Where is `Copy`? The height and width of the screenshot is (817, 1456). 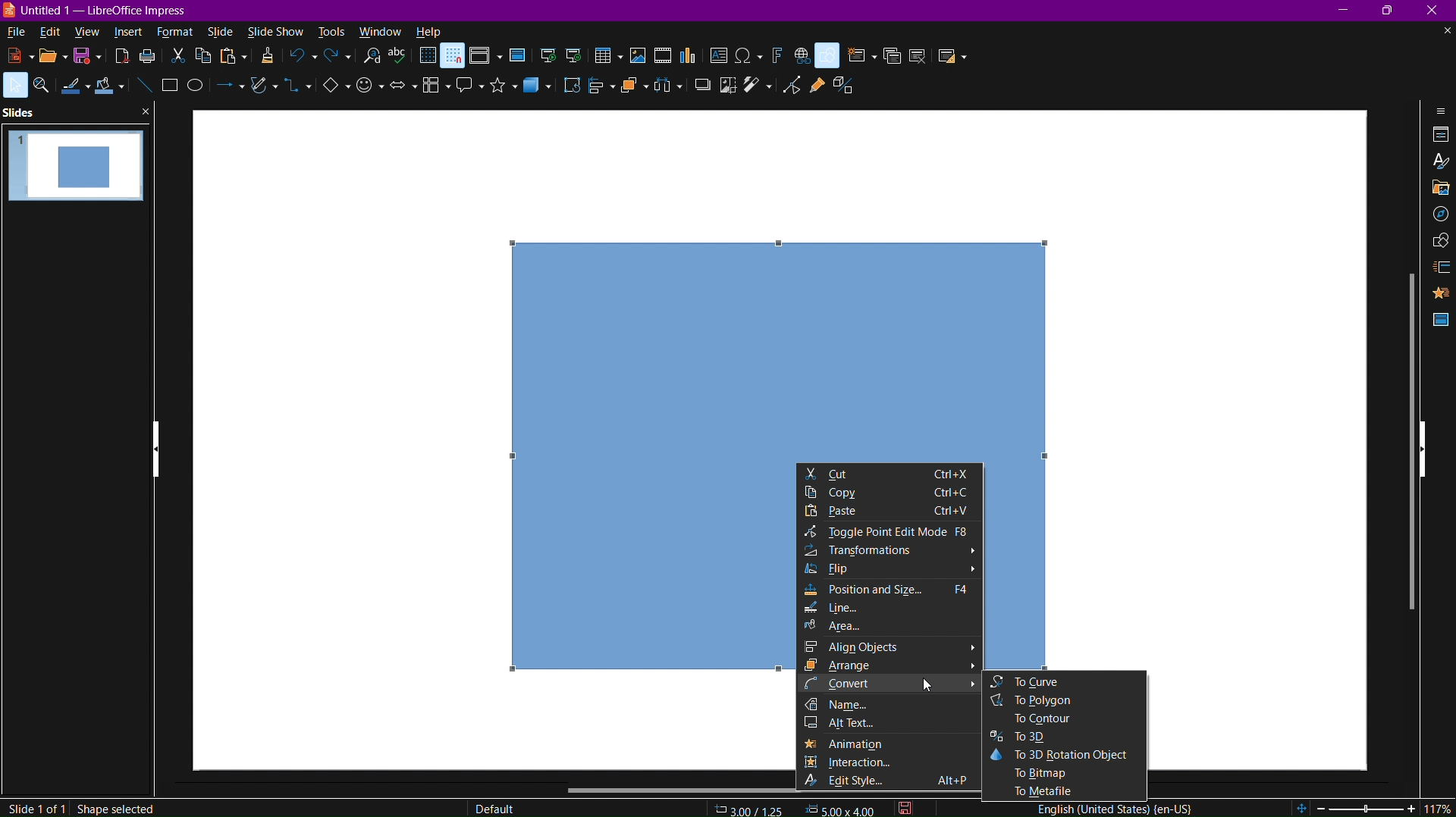
Copy is located at coordinates (206, 58).